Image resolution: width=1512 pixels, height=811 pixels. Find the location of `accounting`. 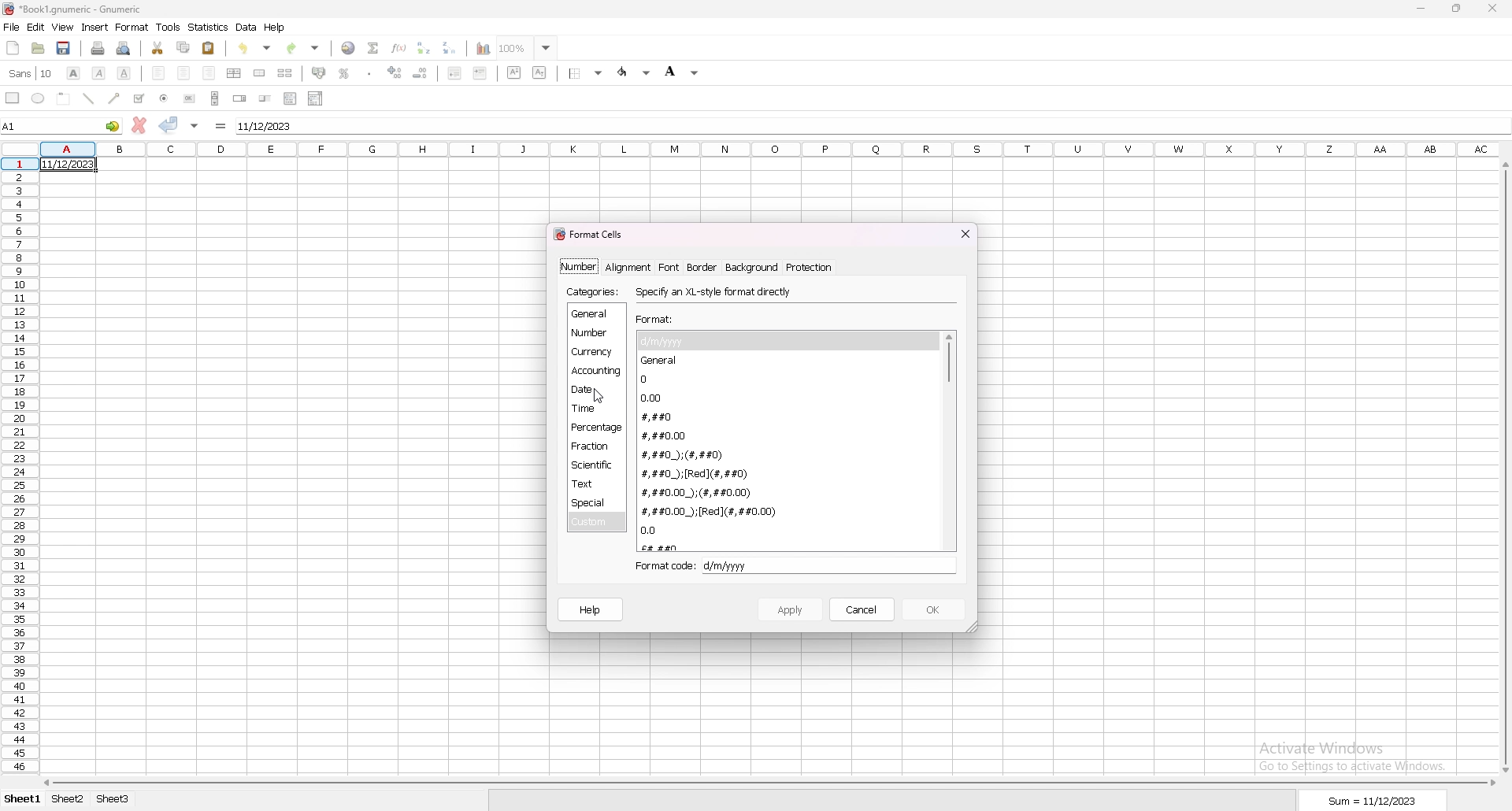

accounting is located at coordinates (597, 371).